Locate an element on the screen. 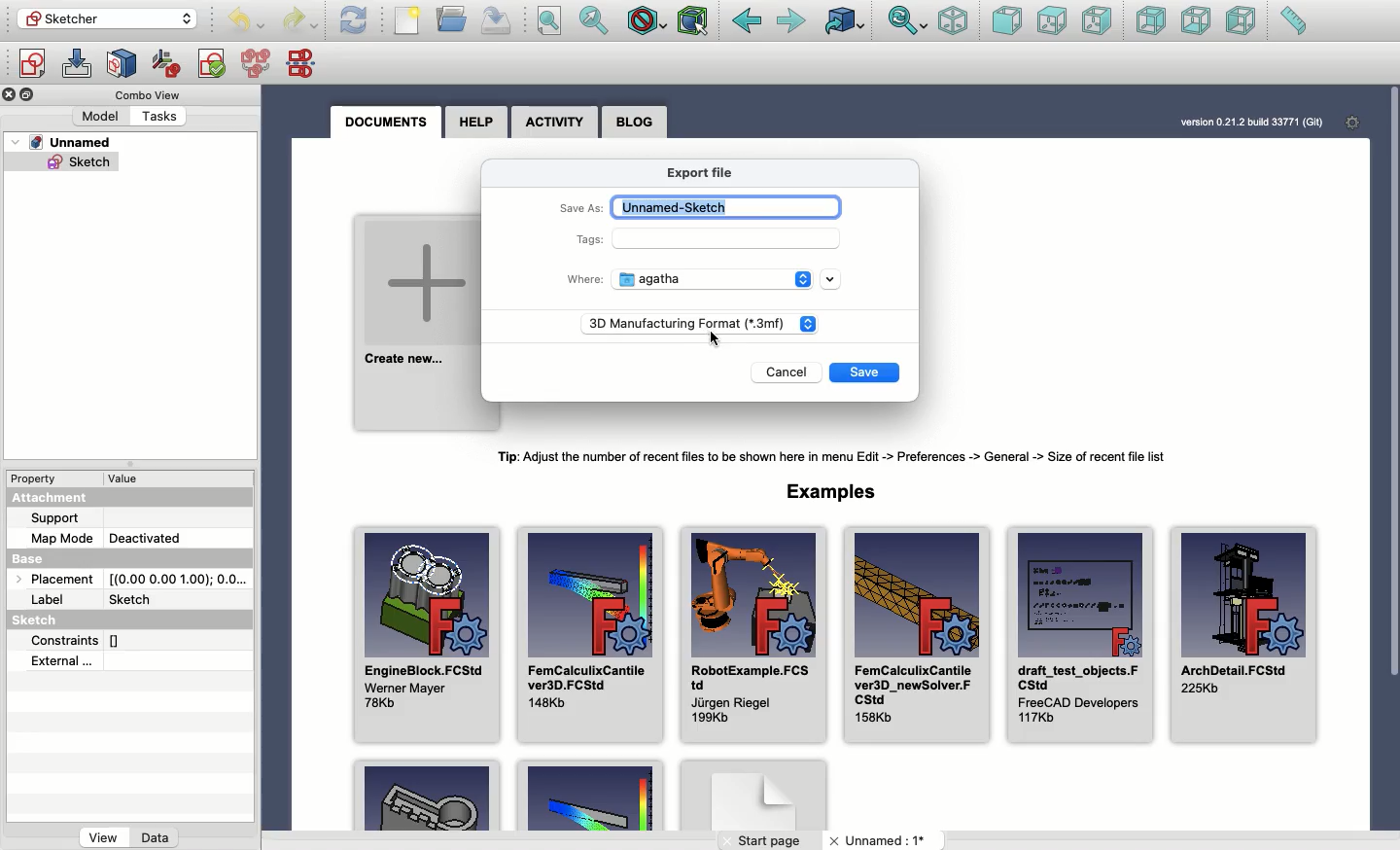 The image size is (1400, 850). Fit selection is located at coordinates (593, 20).